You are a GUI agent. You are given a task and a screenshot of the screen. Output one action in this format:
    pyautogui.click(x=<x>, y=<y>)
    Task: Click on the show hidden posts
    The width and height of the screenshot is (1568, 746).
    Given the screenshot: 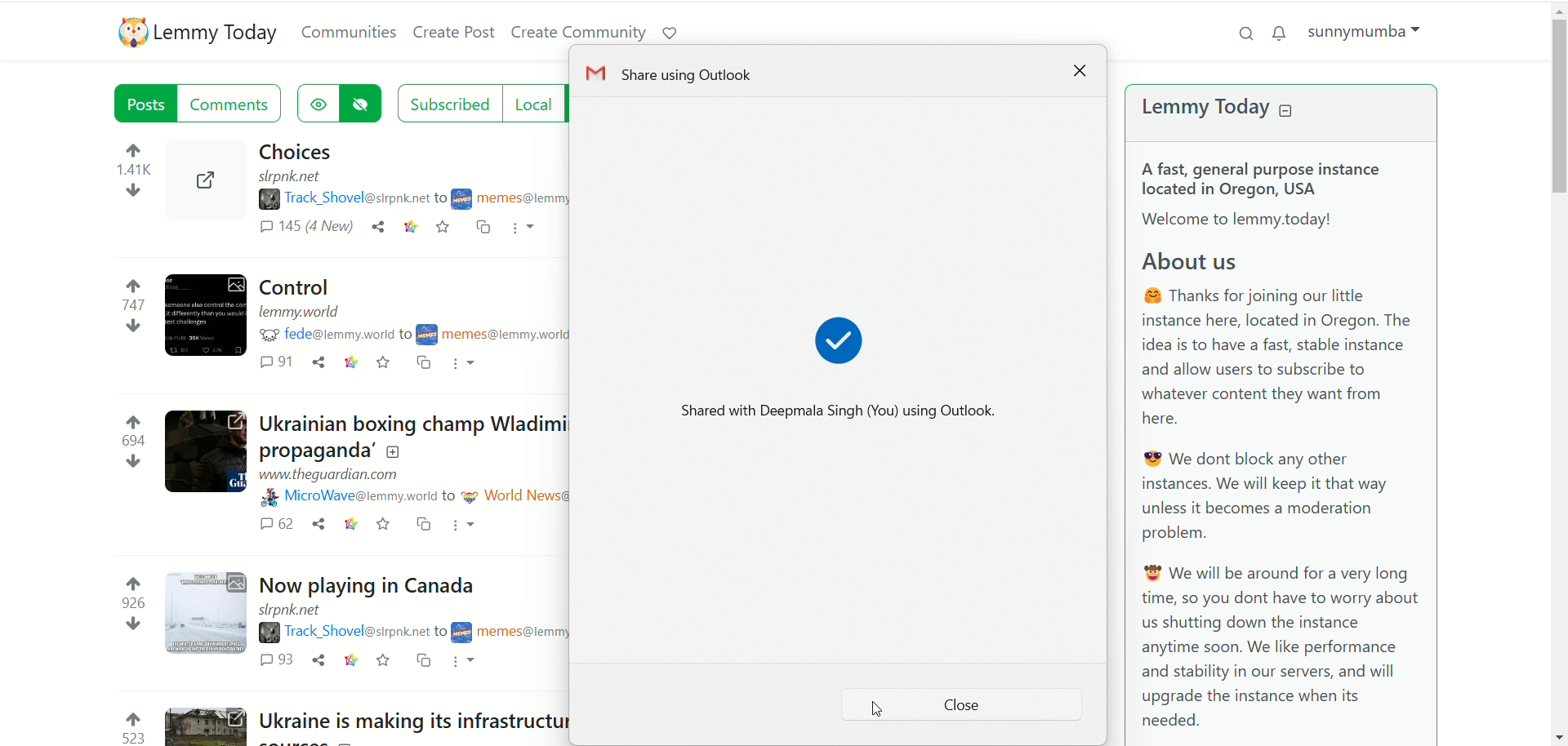 What is the action you would take?
    pyautogui.click(x=315, y=104)
    